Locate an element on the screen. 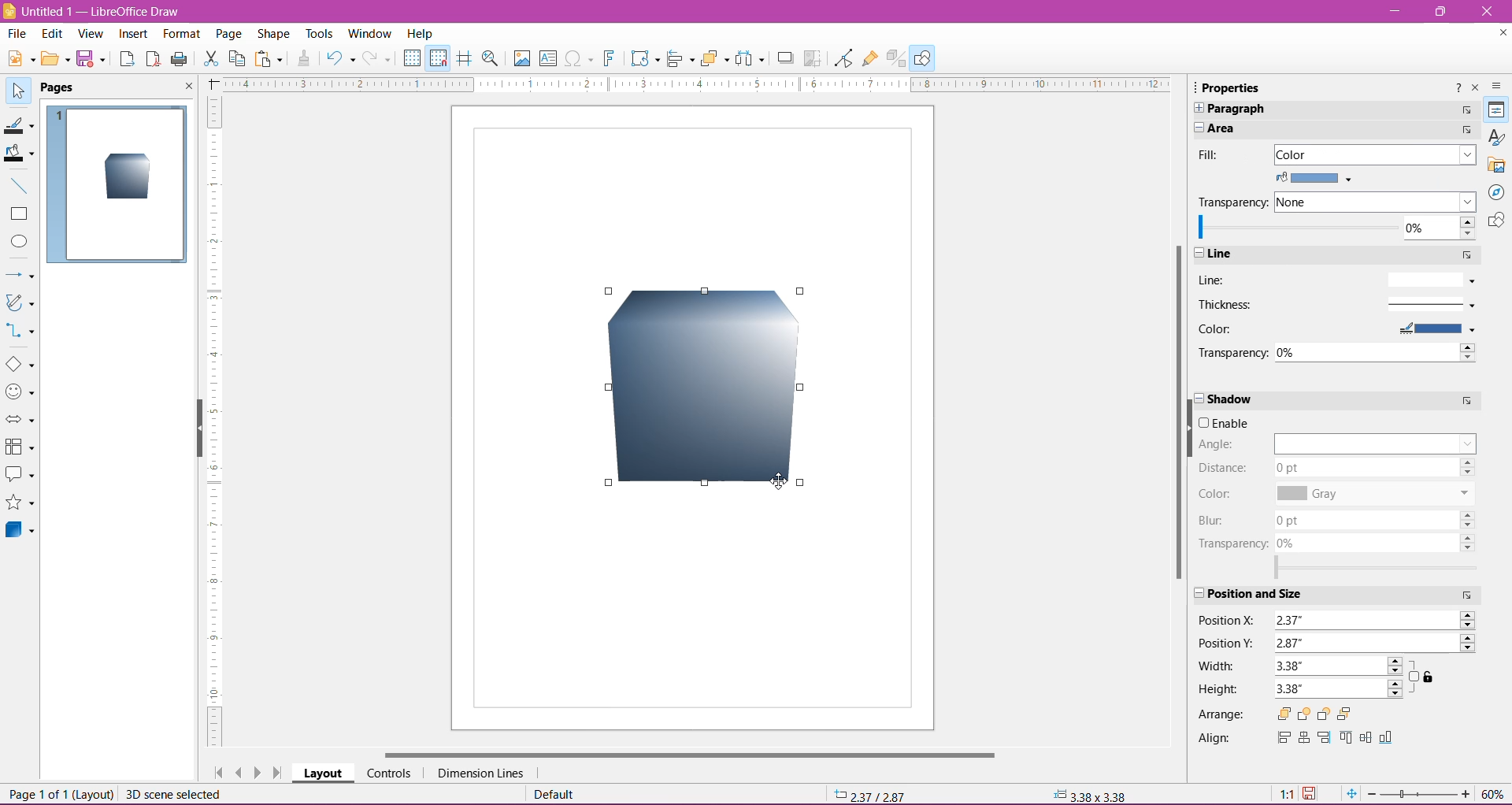  Bock Arrows is located at coordinates (20, 421).